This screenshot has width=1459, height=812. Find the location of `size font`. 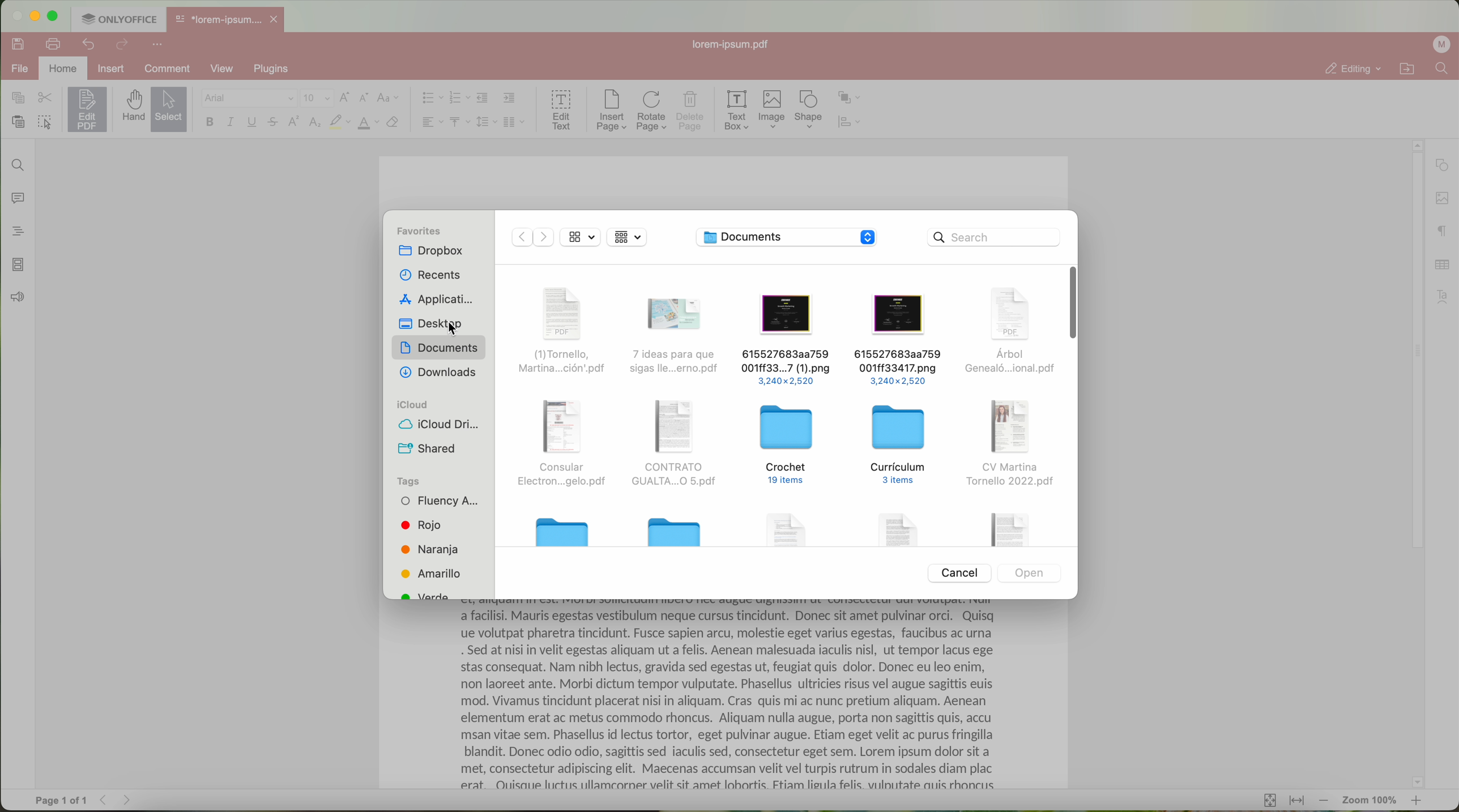

size font is located at coordinates (317, 99).